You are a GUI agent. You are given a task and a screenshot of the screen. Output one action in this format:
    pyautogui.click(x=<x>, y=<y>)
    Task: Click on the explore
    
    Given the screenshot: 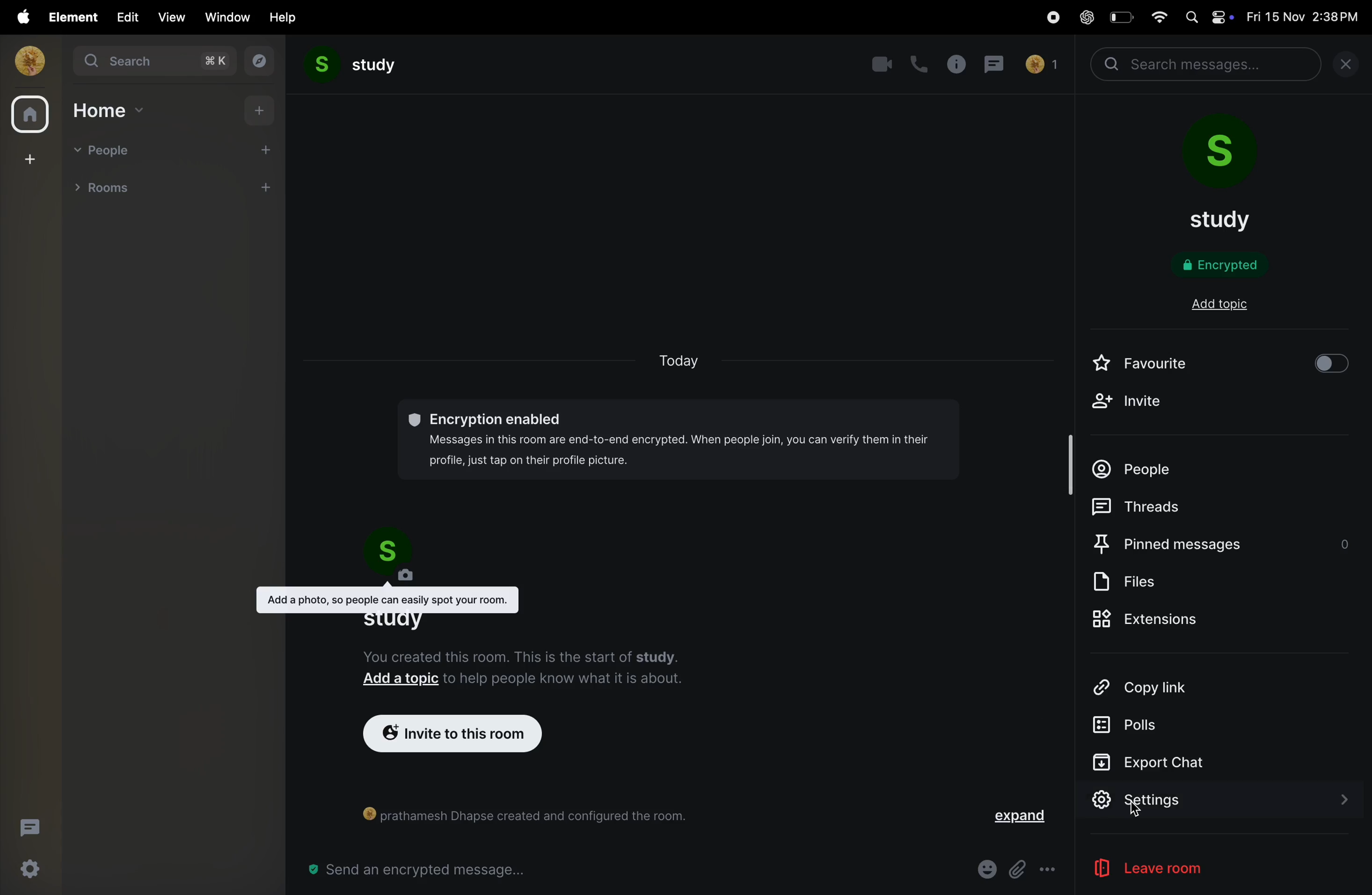 What is the action you would take?
    pyautogui.click(x=257, y=61)
    